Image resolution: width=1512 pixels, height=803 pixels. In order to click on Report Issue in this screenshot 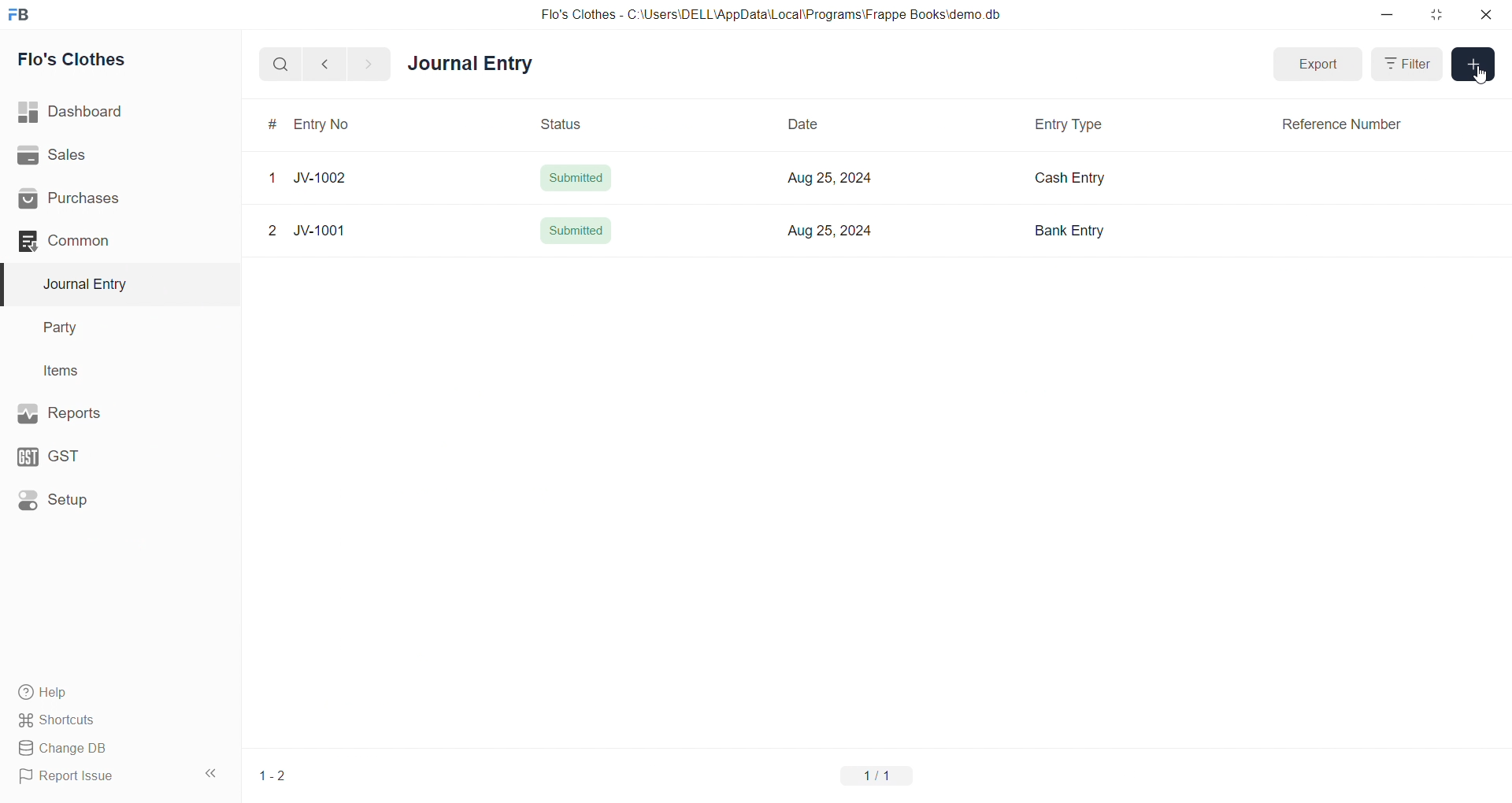, I will do `click(98, 776)`.